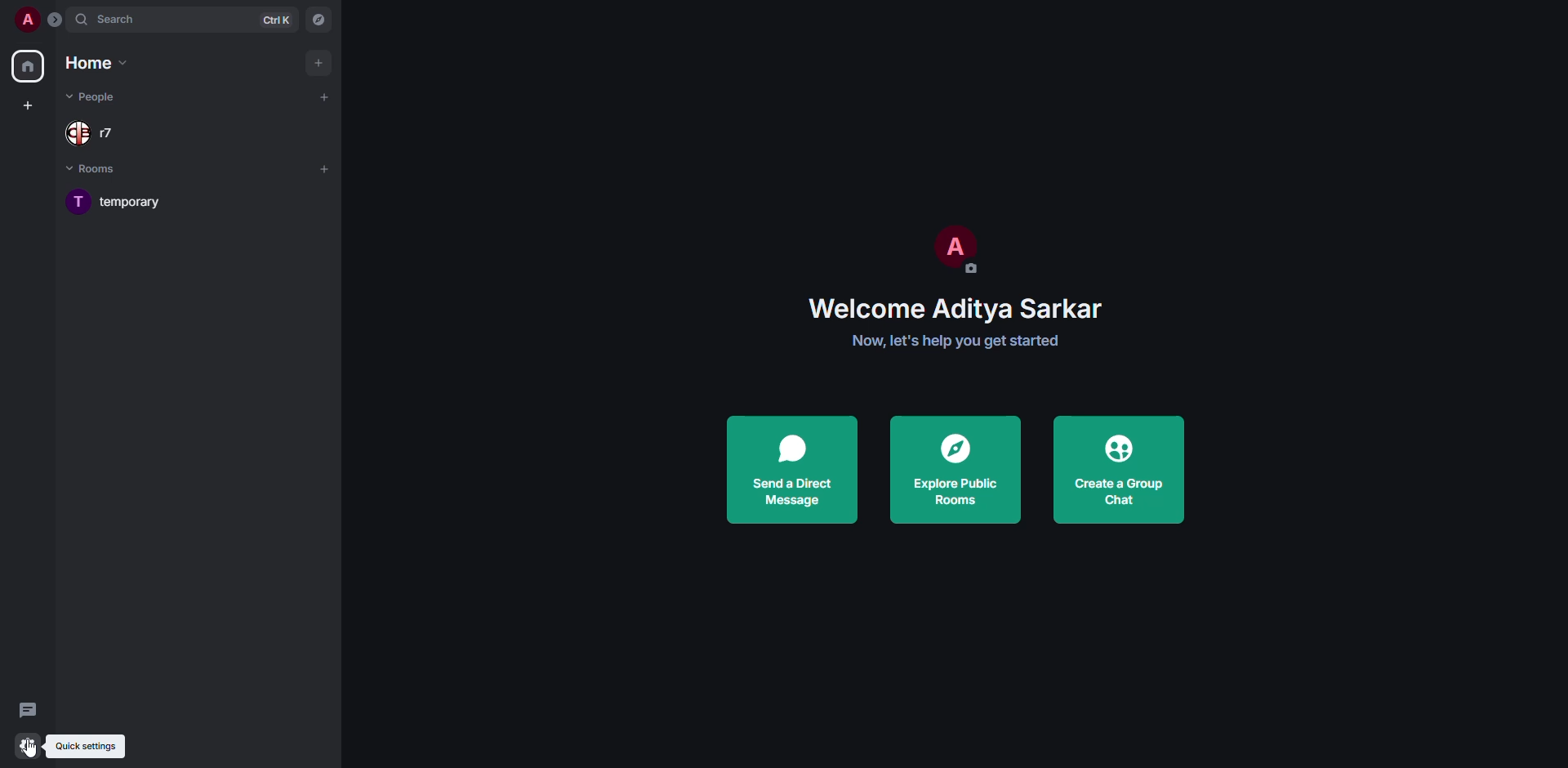 The width and height of the screenshot is (1568, 768). Describe the element at coordinates (30, 106) in the screenshot. I see `create space` at that location.